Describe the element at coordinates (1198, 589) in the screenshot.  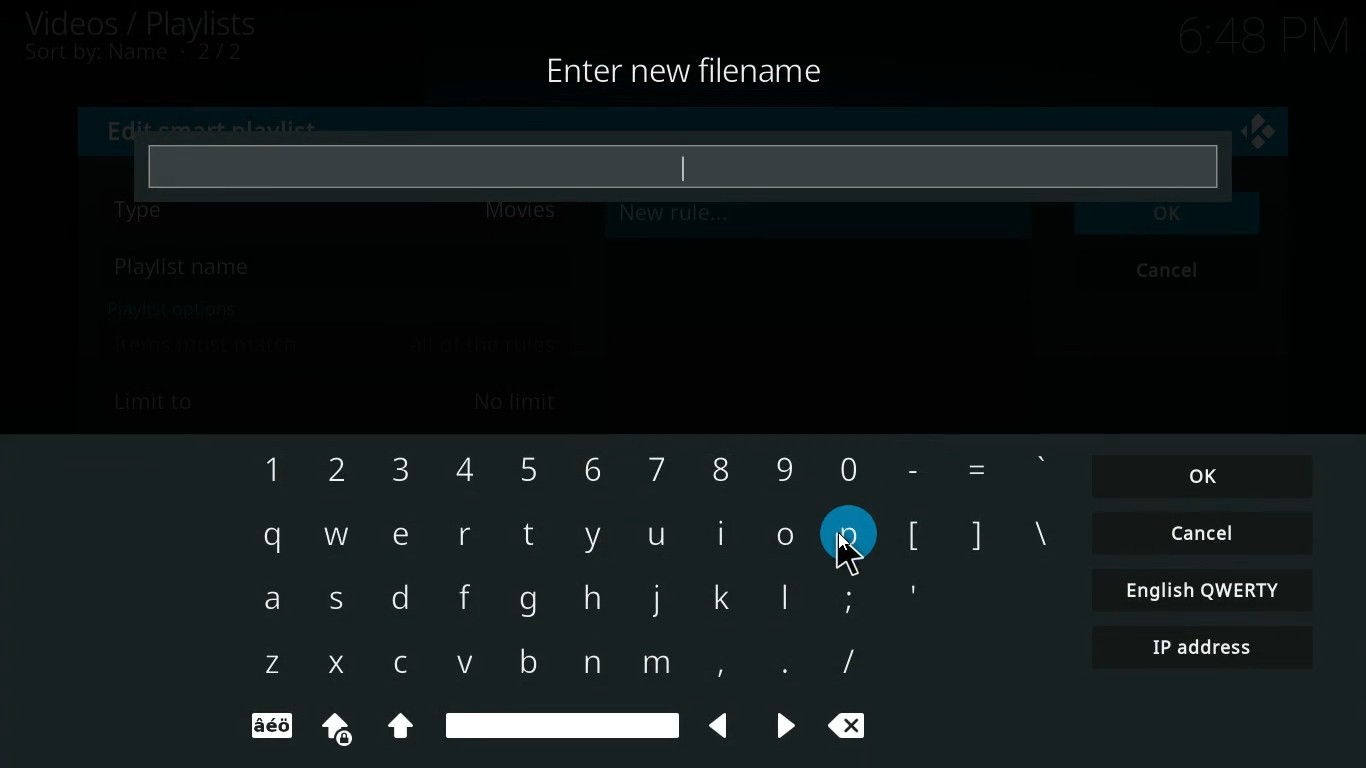
I see `english qwerty` at that location.